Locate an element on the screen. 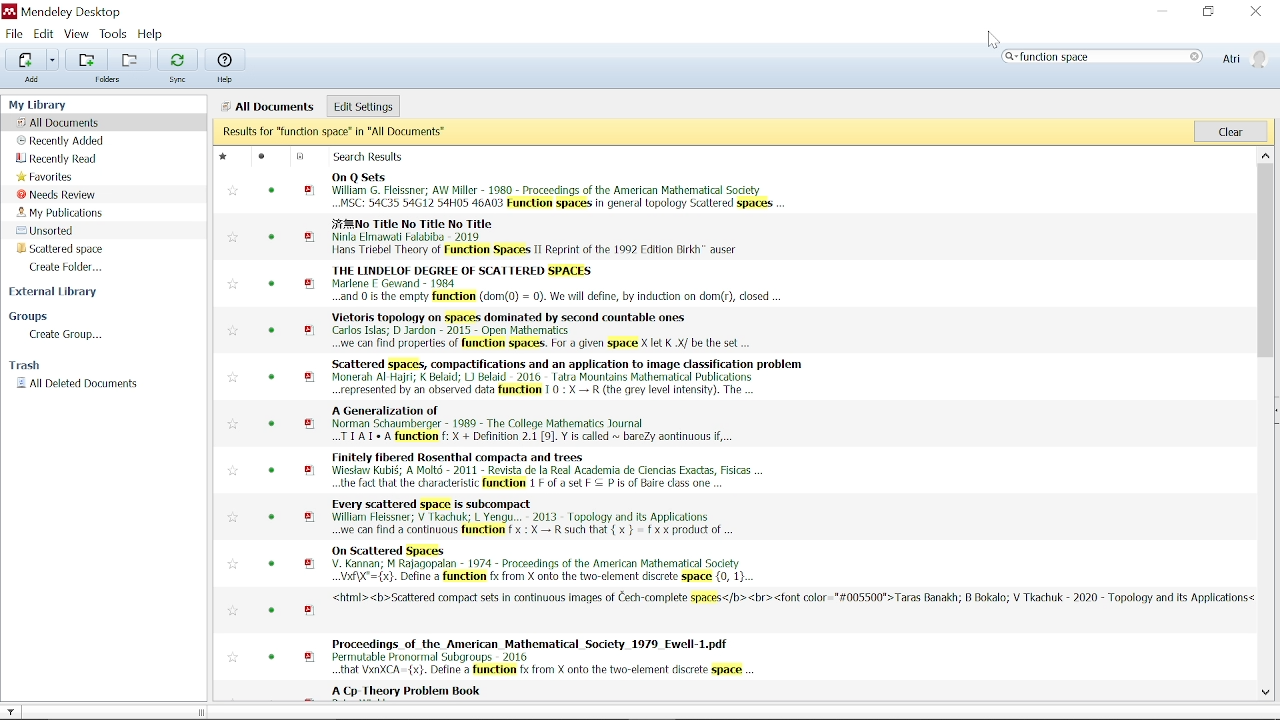 The height and width of the screenshot is (720, 1280). File is located at coordinates (15, 33).